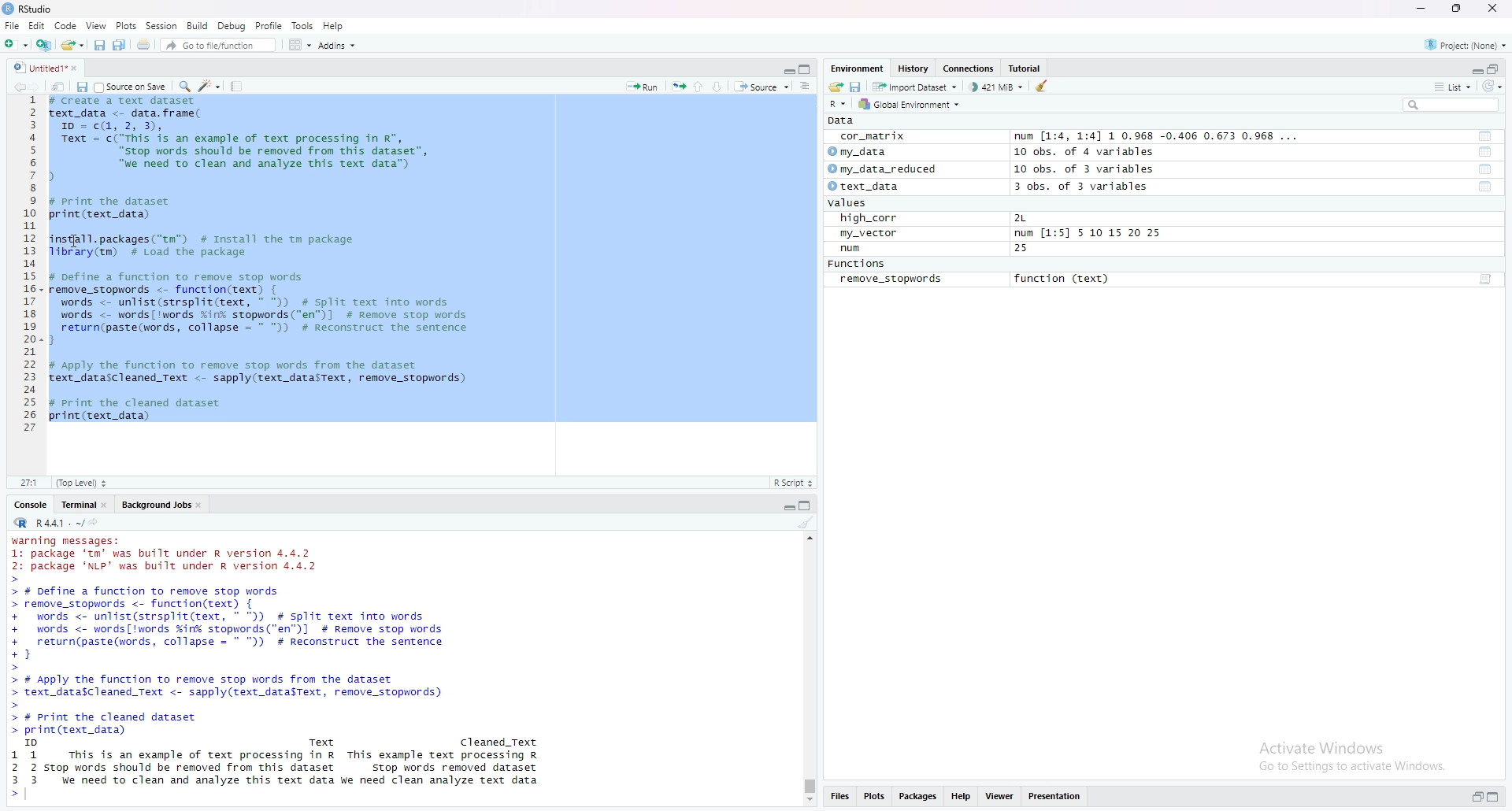 This screenshot has width=1512, height=811. I want to click on find/replace, so click(183, 85).